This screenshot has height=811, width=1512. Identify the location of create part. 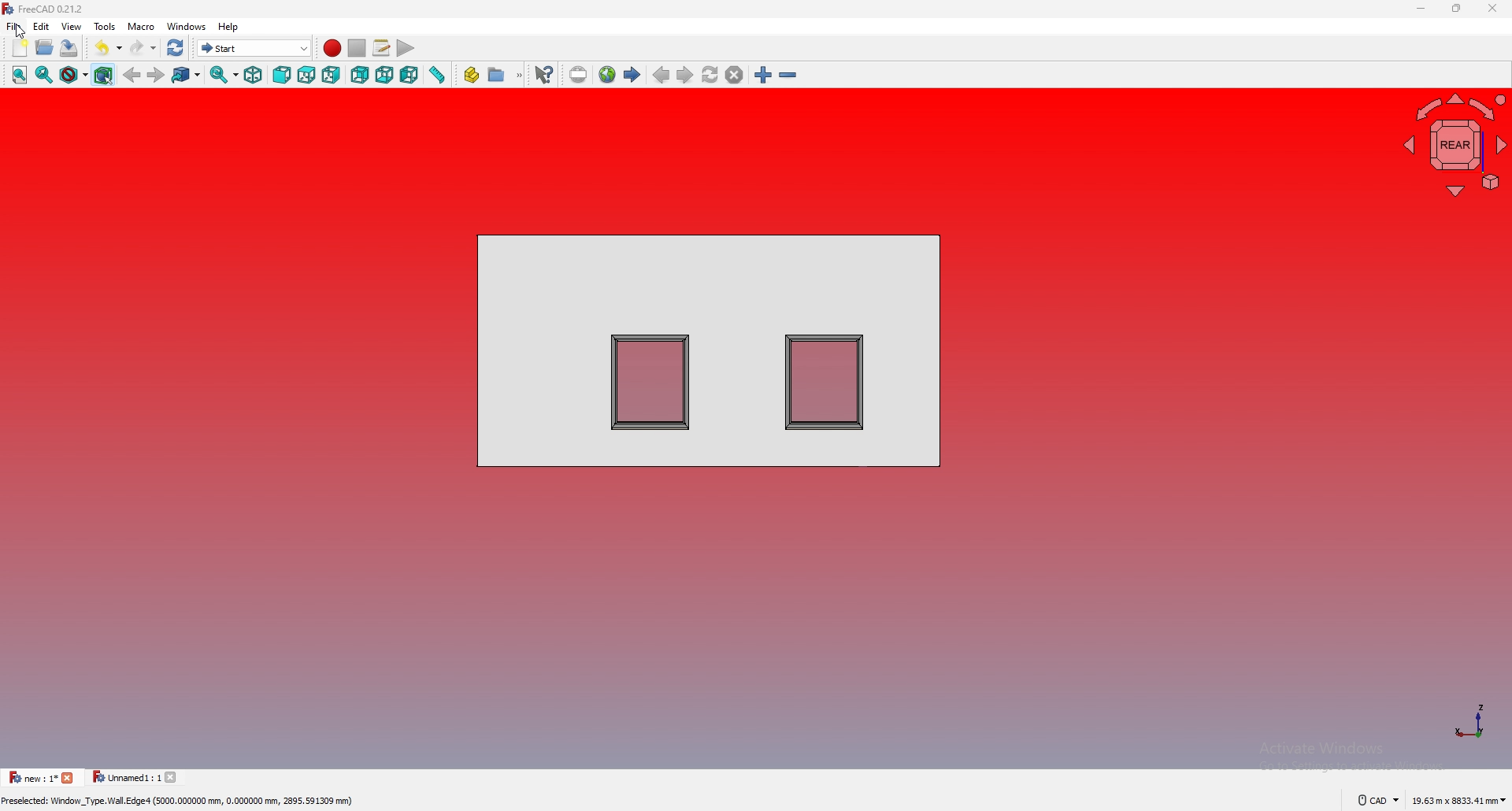
(472, 76).